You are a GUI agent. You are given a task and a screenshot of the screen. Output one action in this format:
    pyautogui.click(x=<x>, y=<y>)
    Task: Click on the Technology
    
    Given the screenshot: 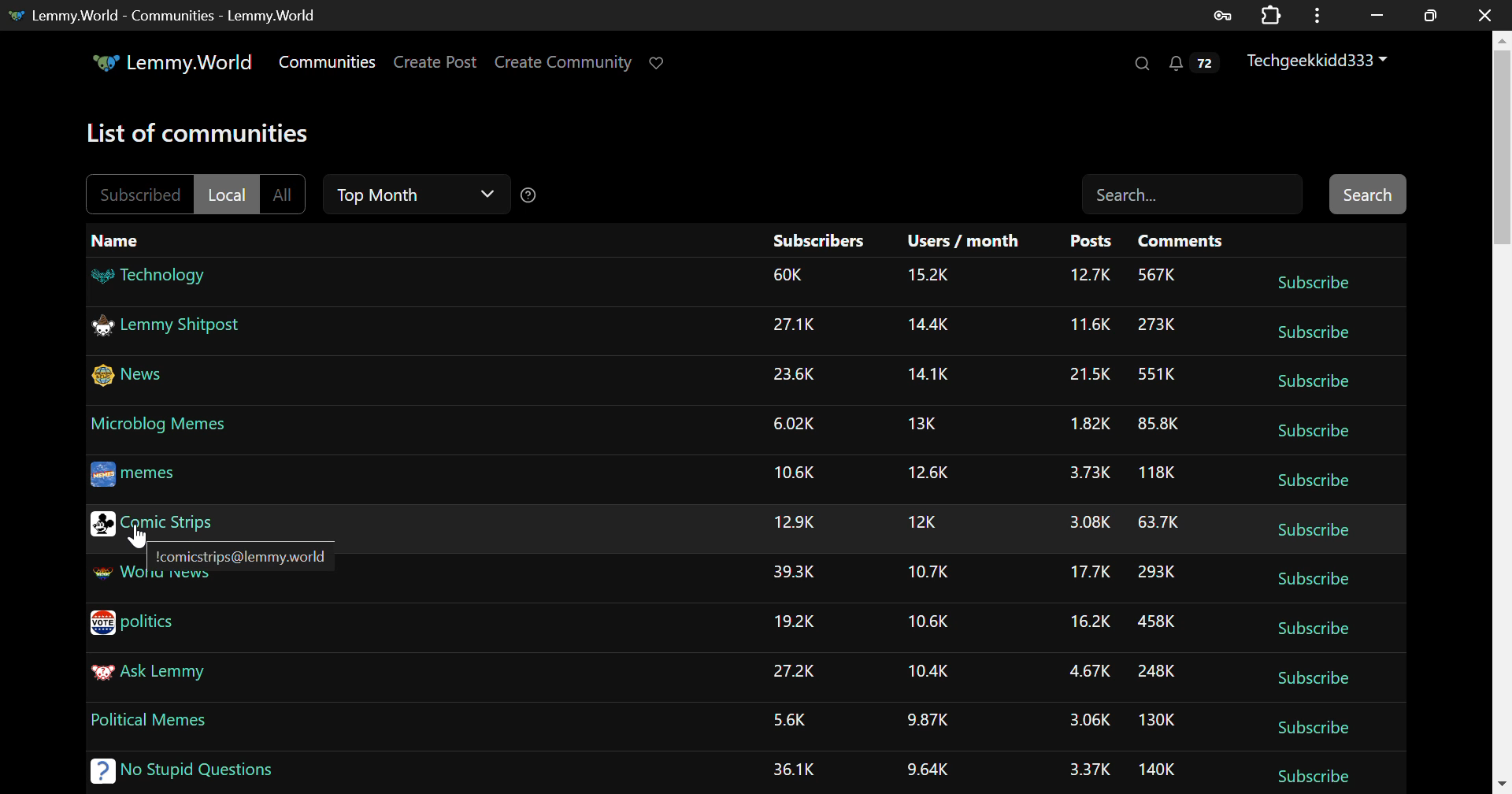 What is the action you would take?
    pyautogui.click(x=150, y=279)
    